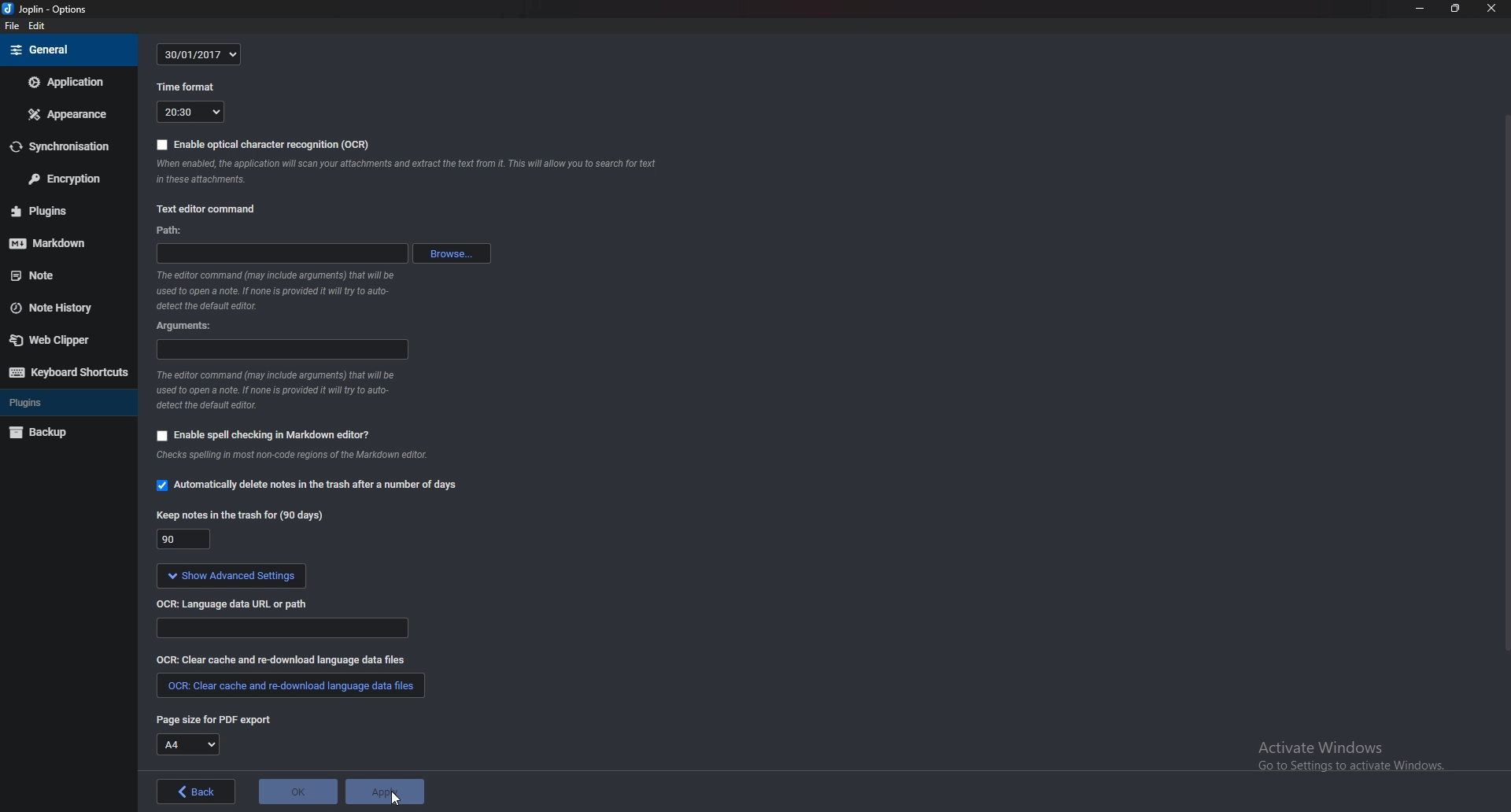 Image resolution: width=1511 pixels, height=812 pixels. I want to click on 20:30, so click(189, 113).